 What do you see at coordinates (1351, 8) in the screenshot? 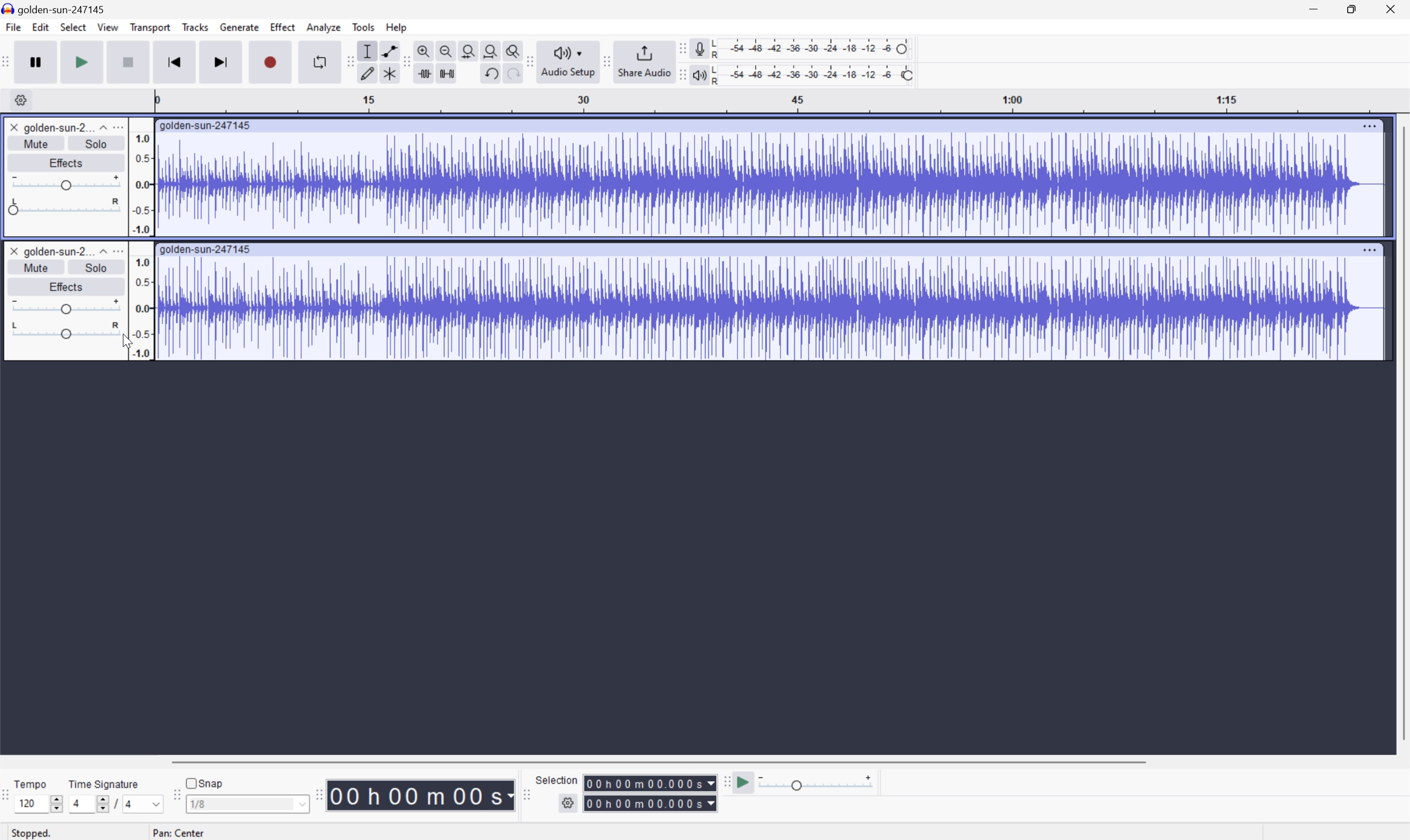
I see `Restore Down` at bounding box center [1351, 8].